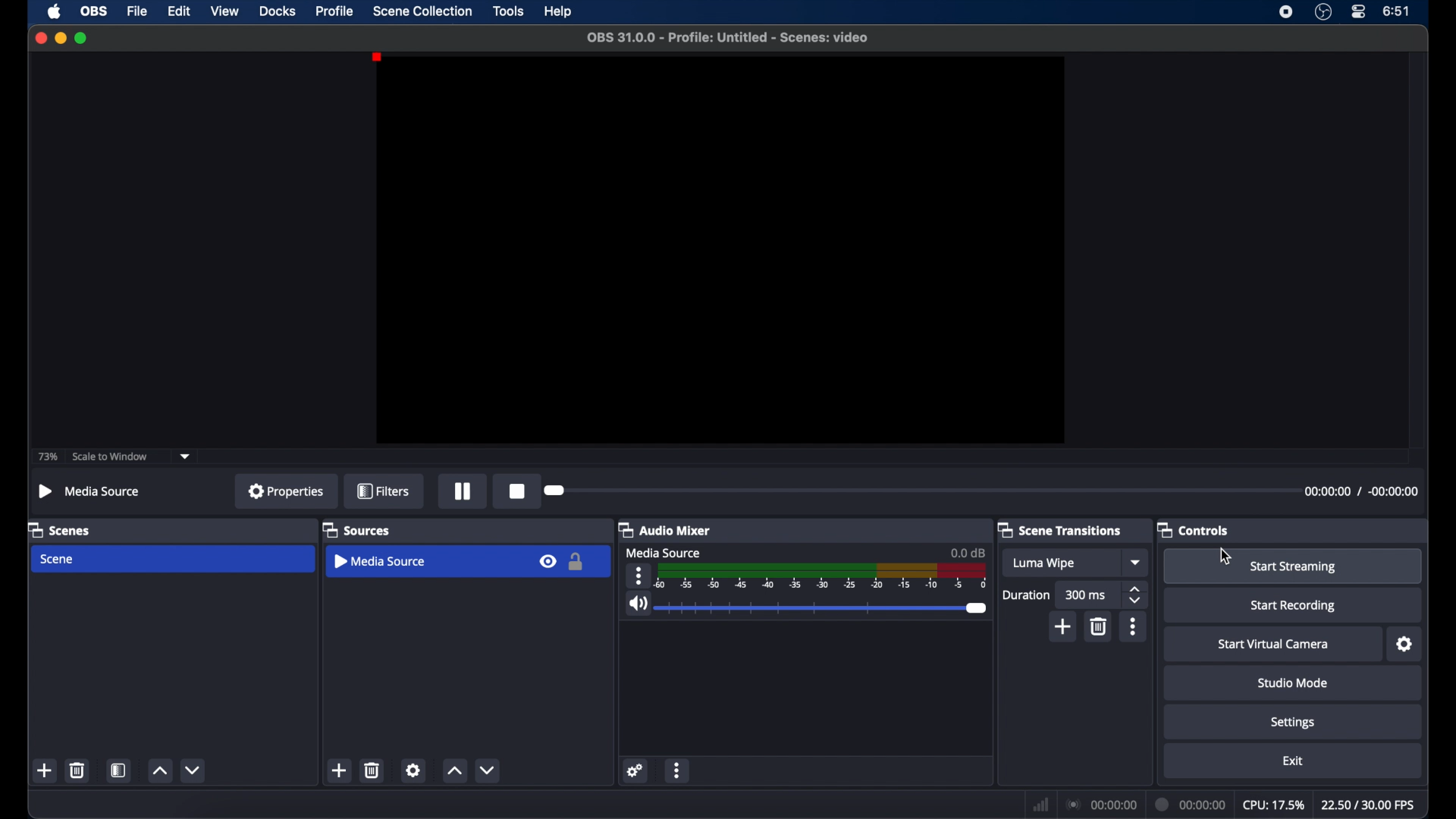 Image resolution: width=1456 pixels, height=819 pixels. What do you see at coordinates (1041, 804) in the screenshot?
I see `network` at bounding box center [1041, 804].